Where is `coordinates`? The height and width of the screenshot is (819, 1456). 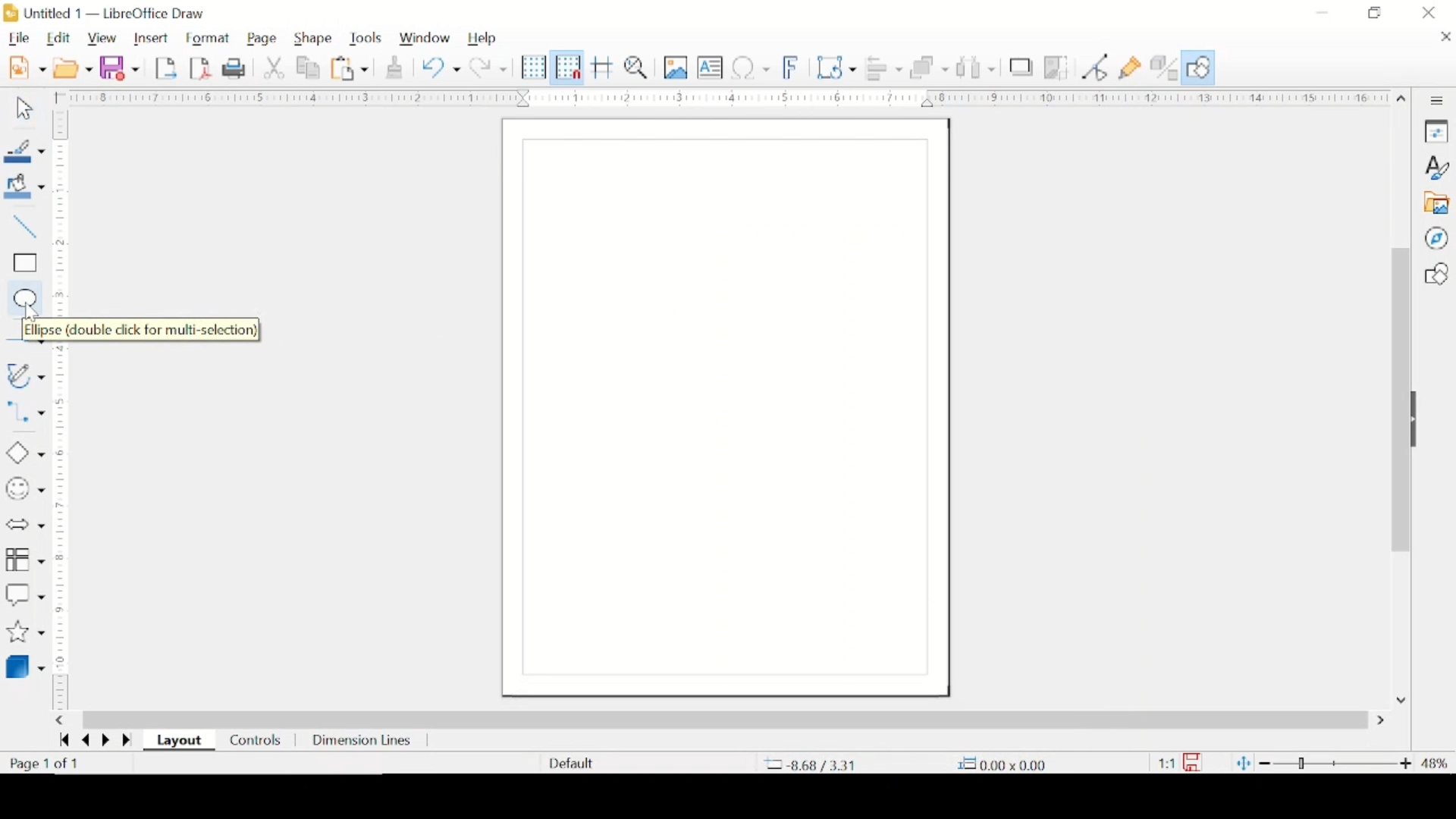
coordinates is located at coordinates (998, 763).